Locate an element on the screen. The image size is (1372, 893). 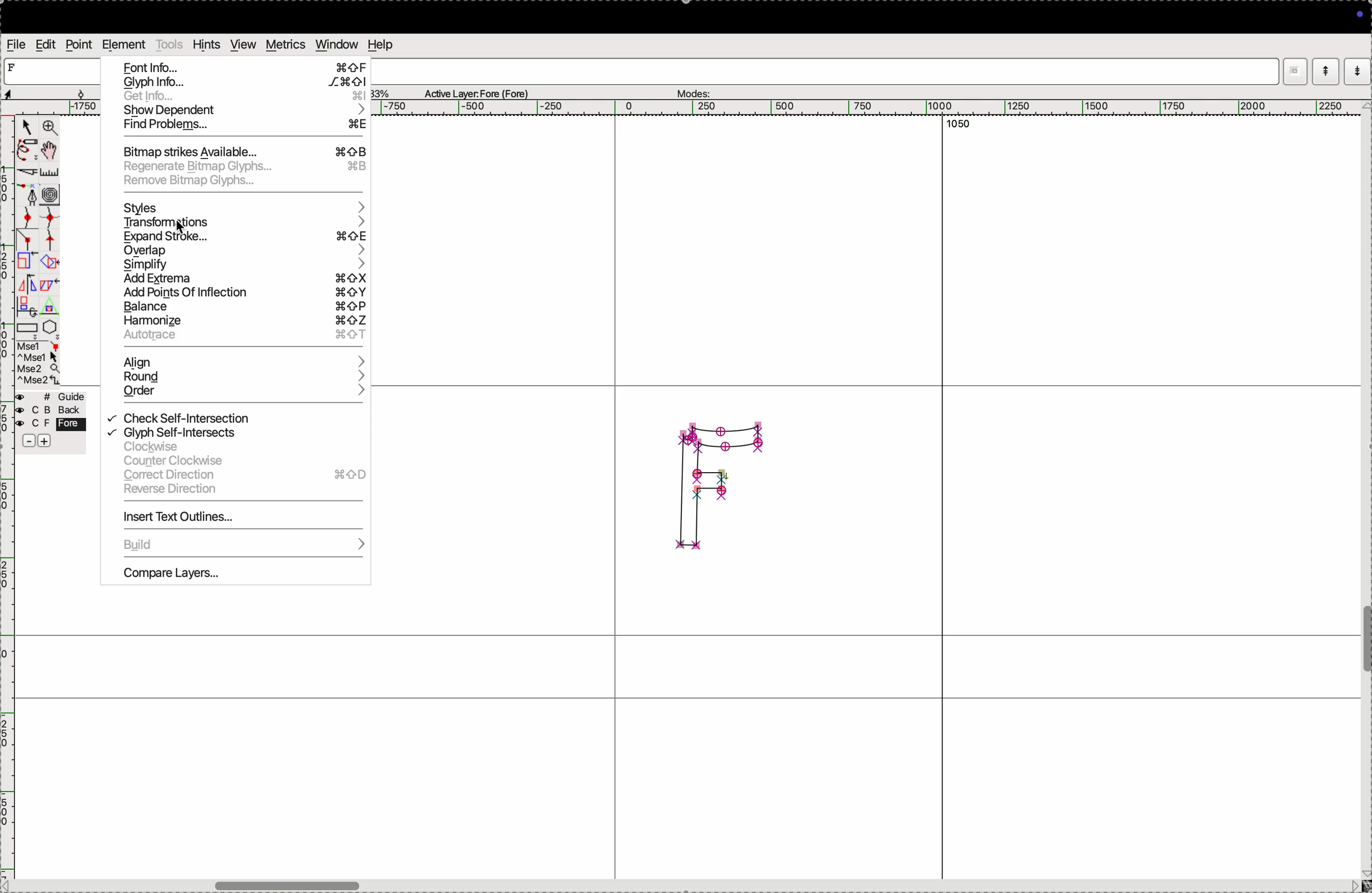
point is located at coordinates (78, 46).